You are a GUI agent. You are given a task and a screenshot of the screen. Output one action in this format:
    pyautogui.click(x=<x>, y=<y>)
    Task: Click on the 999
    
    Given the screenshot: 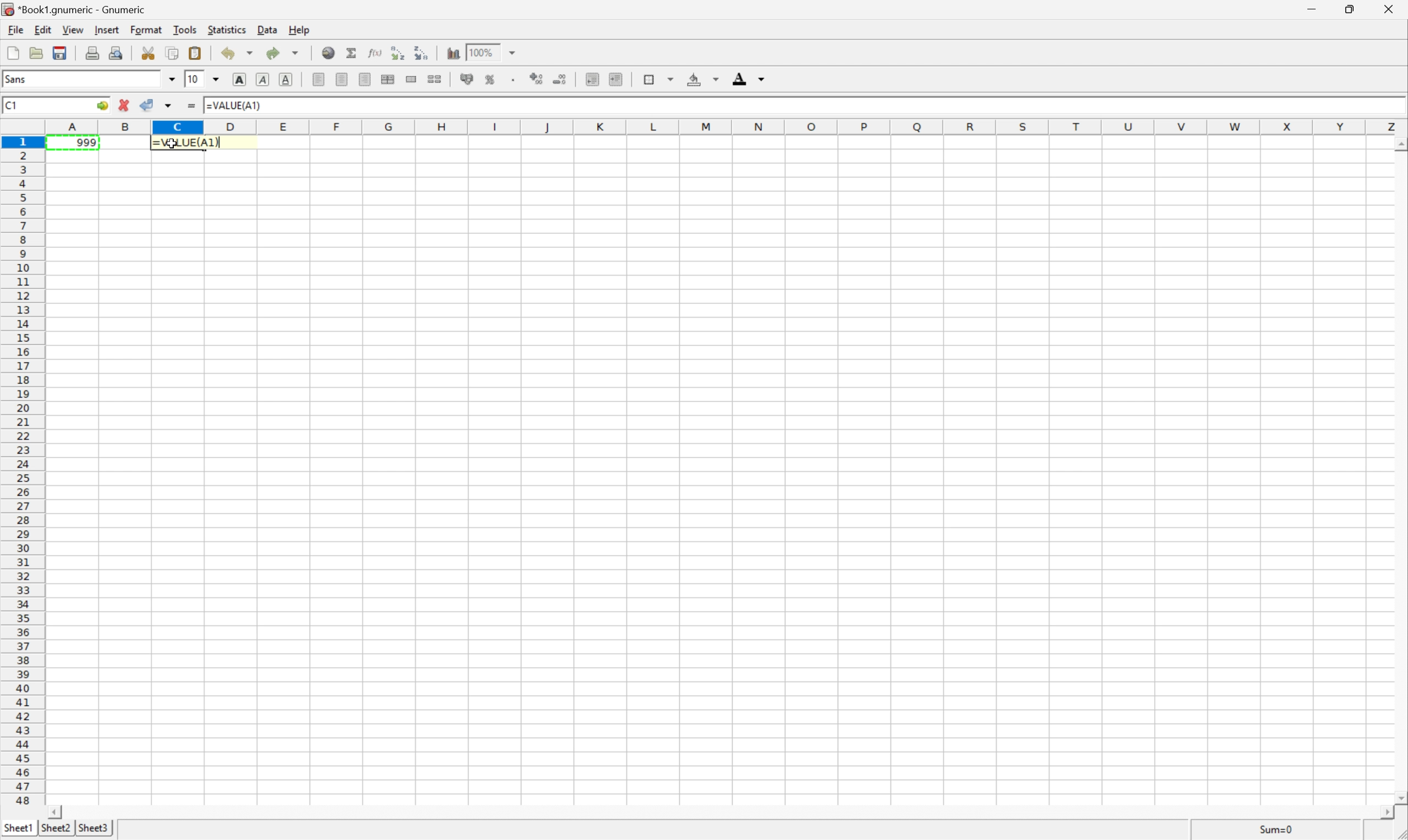 What is the action you would take?
    pyautogui.click(x=76, y=143)
    